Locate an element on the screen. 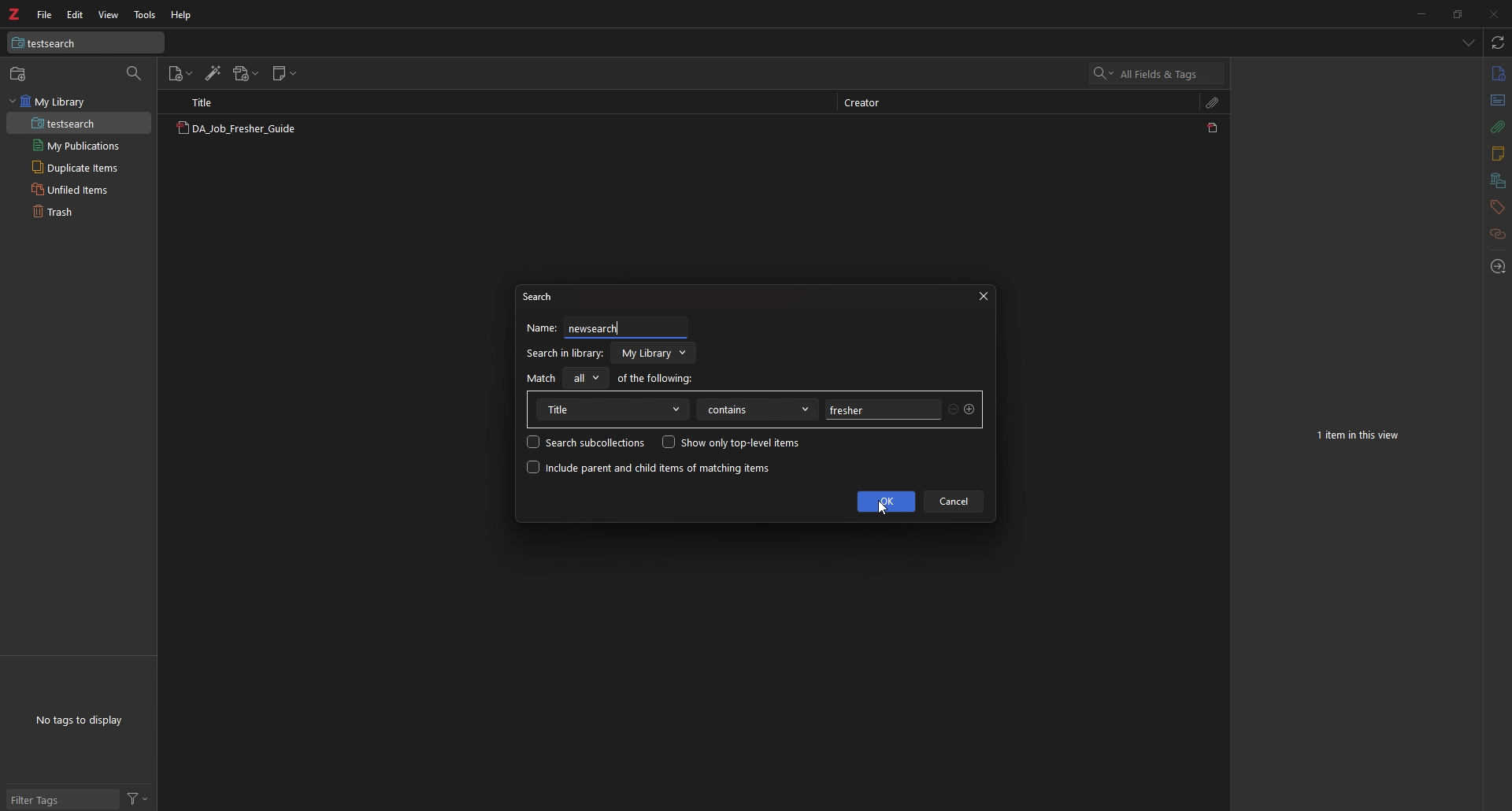 This screenshot has height=811, width=1512. search is located at coordinates (542, 295).